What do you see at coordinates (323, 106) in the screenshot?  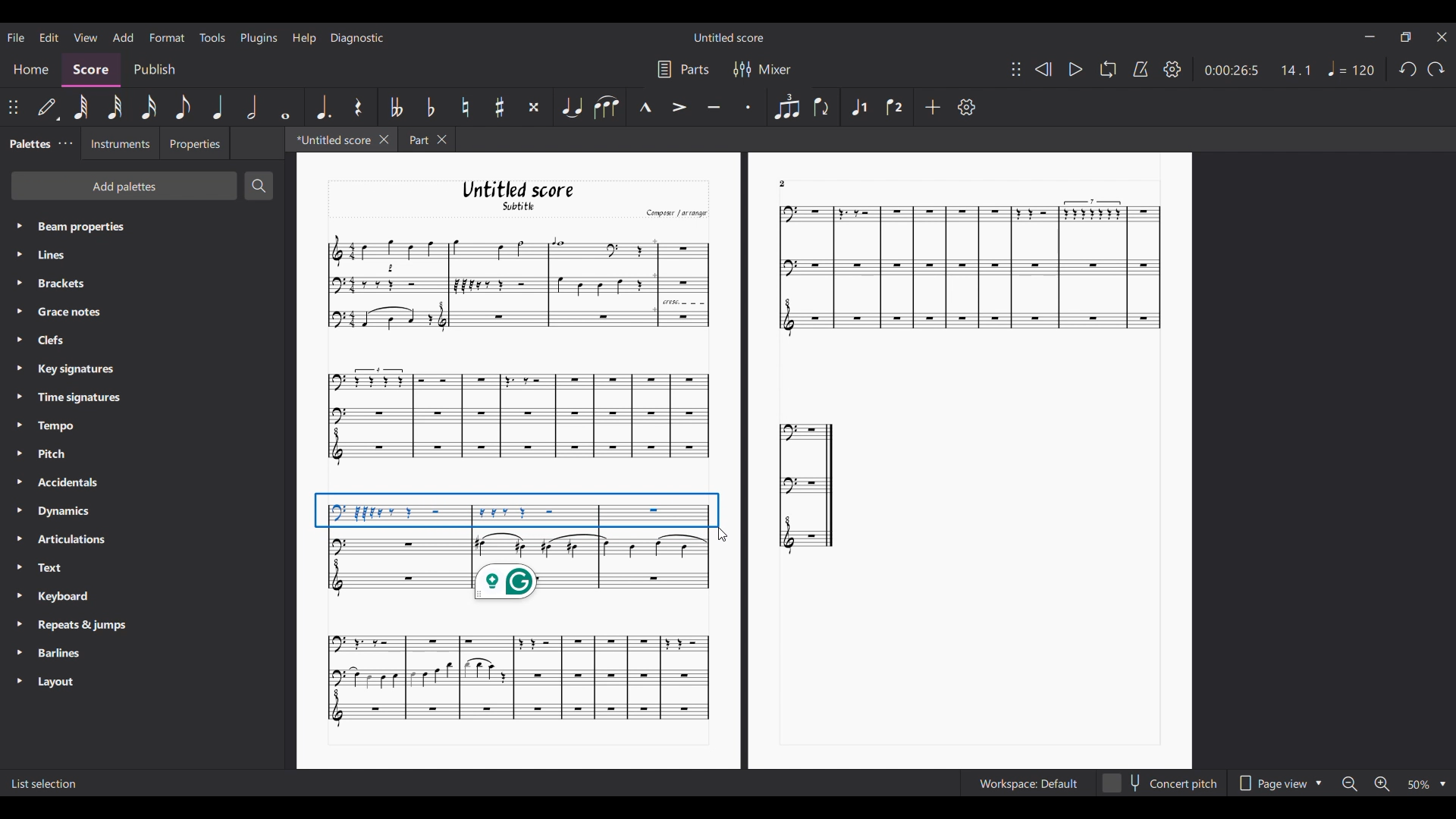 I see `Augmentation dot` at bounding box center [323, 106].